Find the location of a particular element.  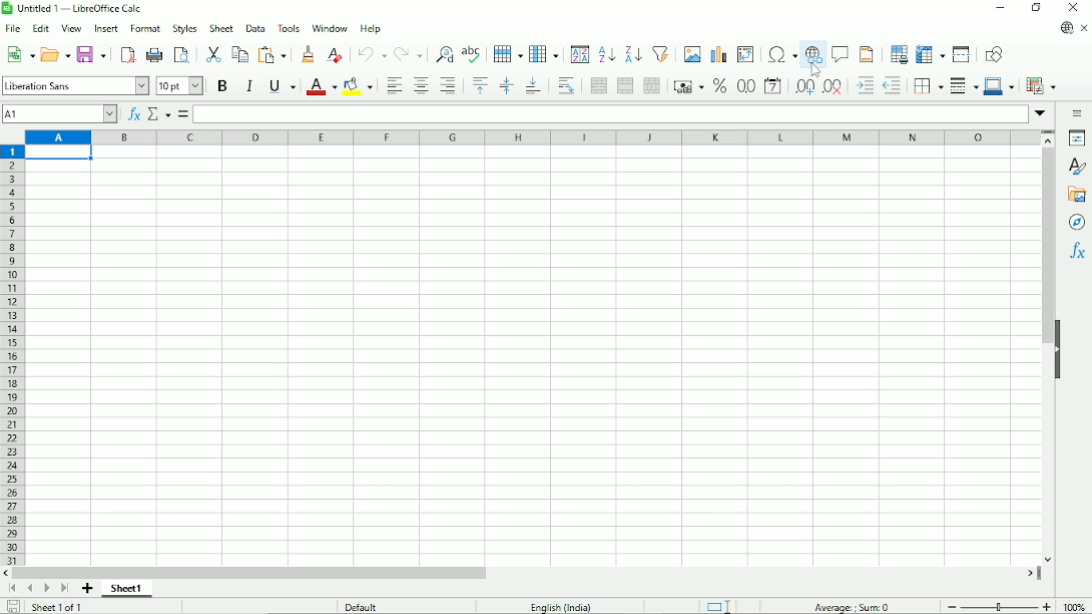

Redo is located at coordinates (408, 53).